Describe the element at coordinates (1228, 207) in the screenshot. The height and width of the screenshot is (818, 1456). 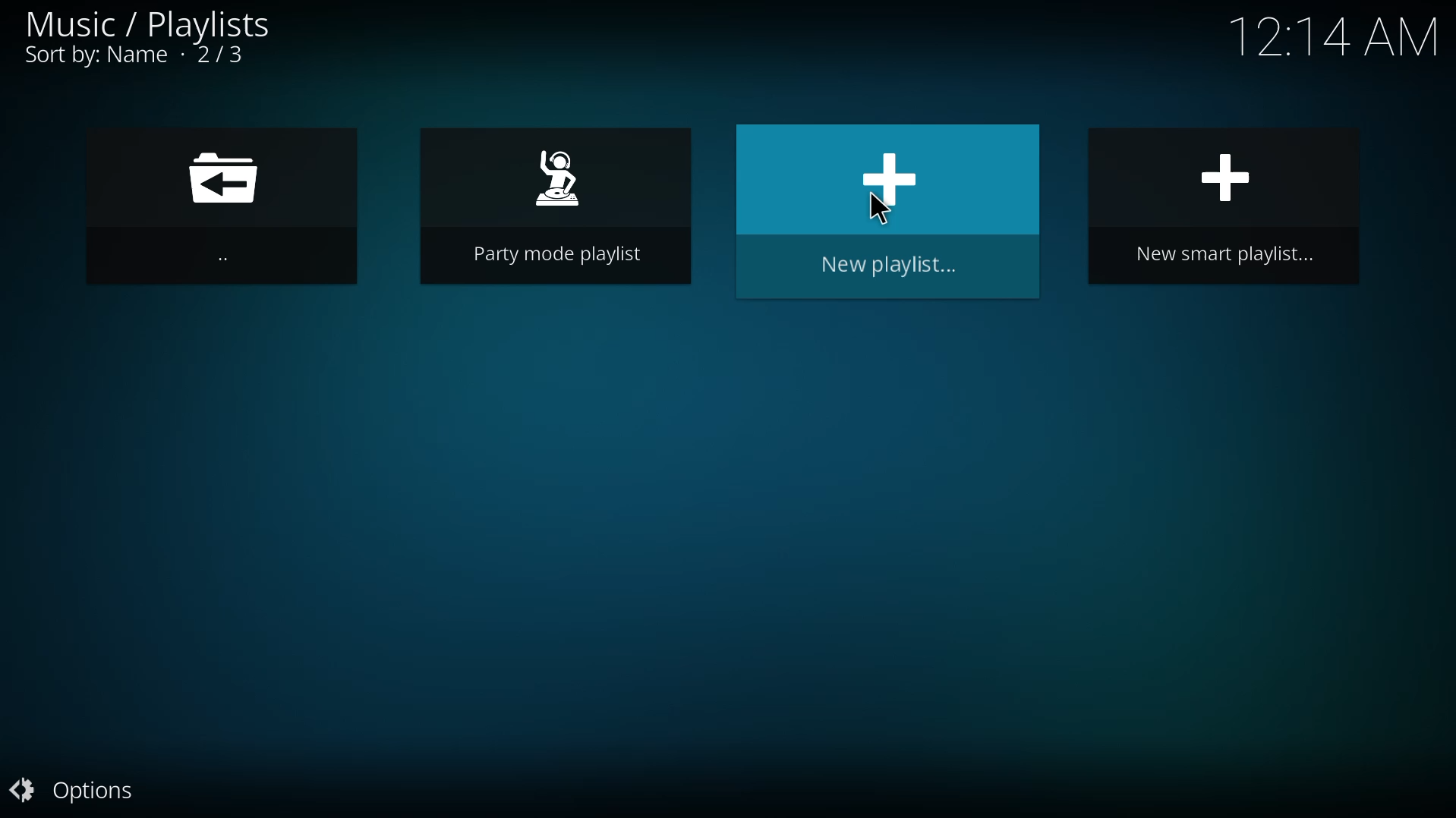
I see `new smart playlist` at that location.